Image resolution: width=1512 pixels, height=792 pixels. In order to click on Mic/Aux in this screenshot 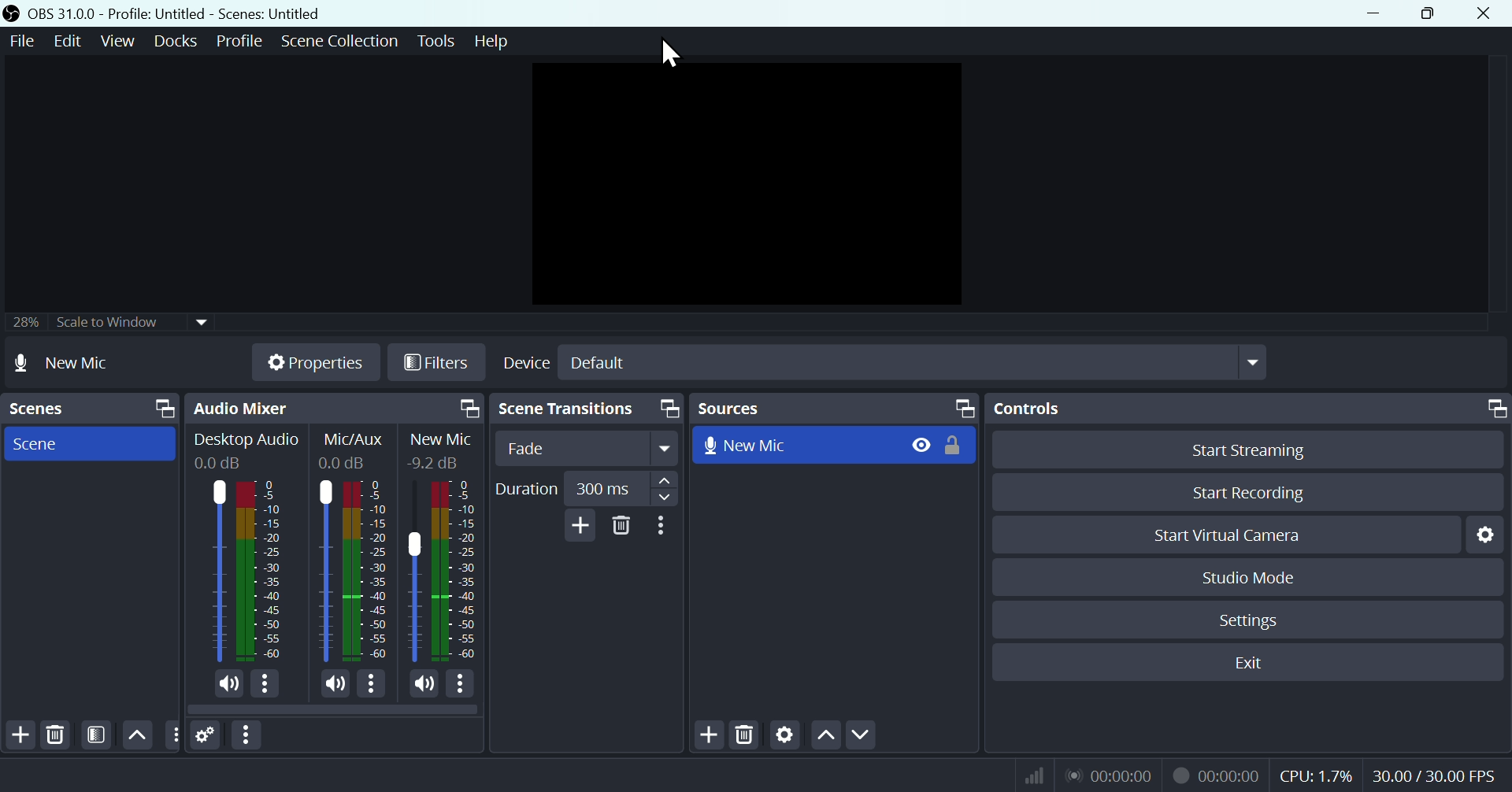, I will do `click(366, 570)`.